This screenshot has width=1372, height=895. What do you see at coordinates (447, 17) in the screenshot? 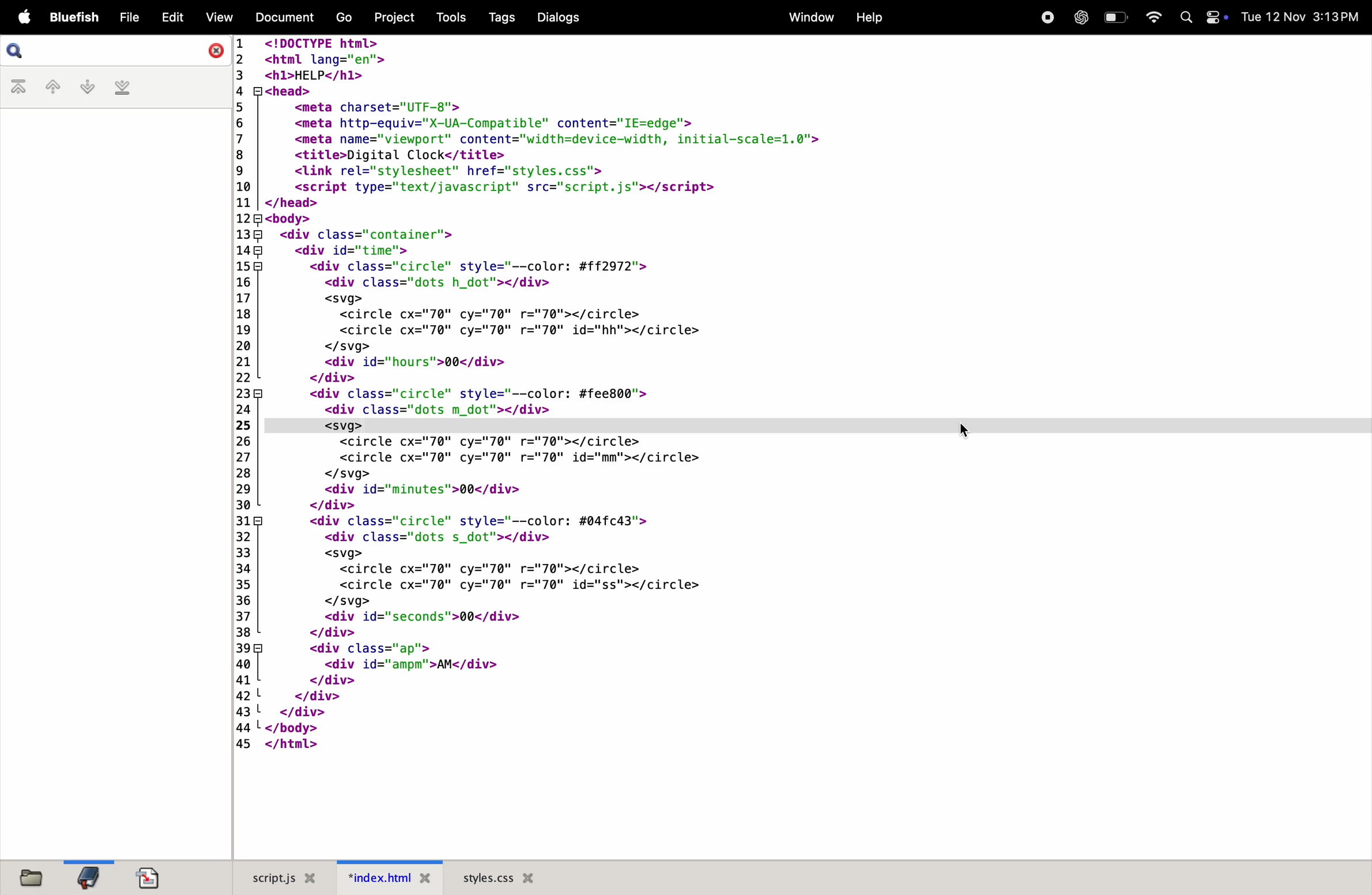
I see `tools` at bounding box center [447, 17].